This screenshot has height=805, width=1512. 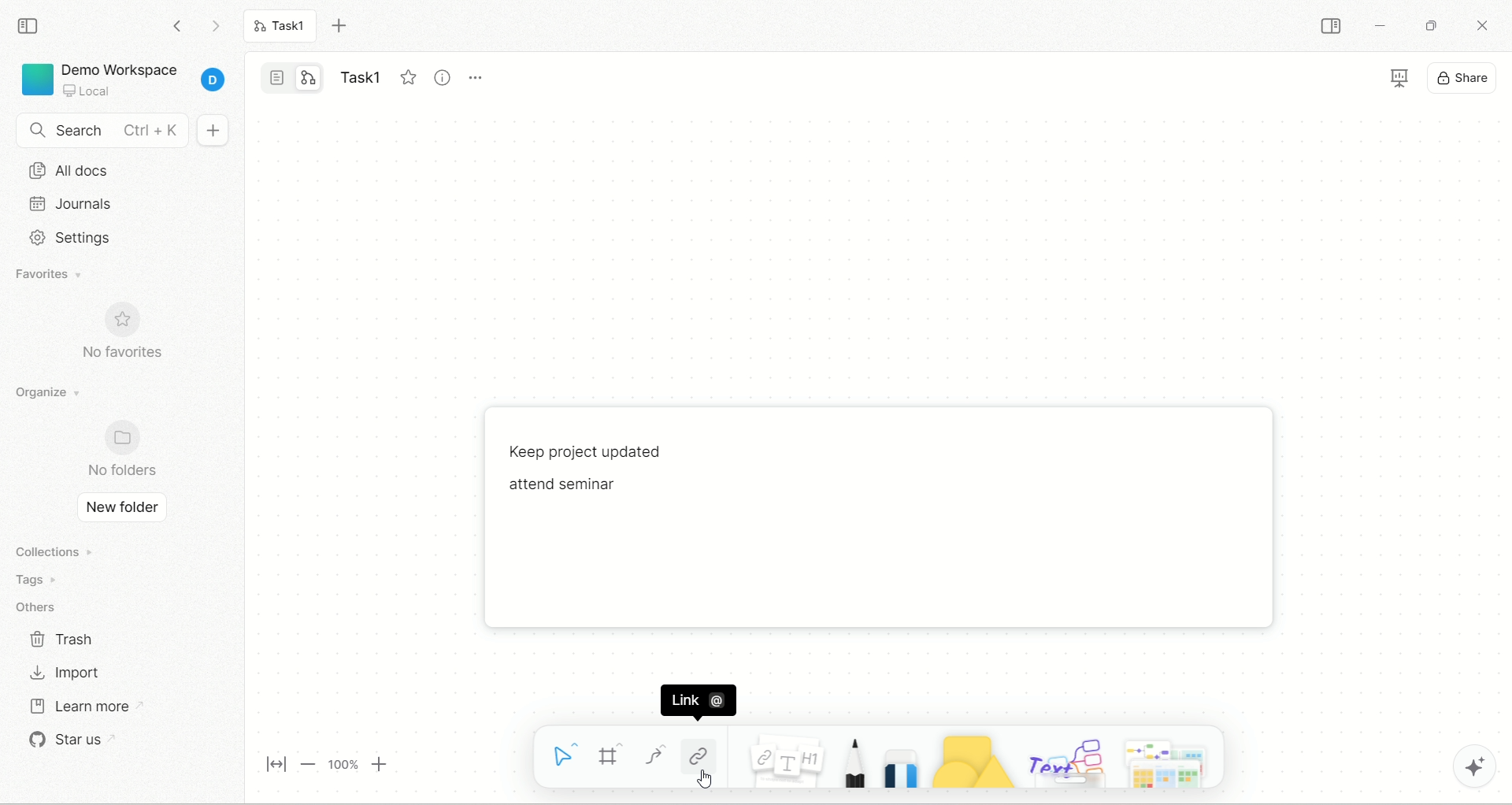 What do you see at coordinates (176, 24) in the screenshot?
I see `go backward` at bounding box center [176, 24].